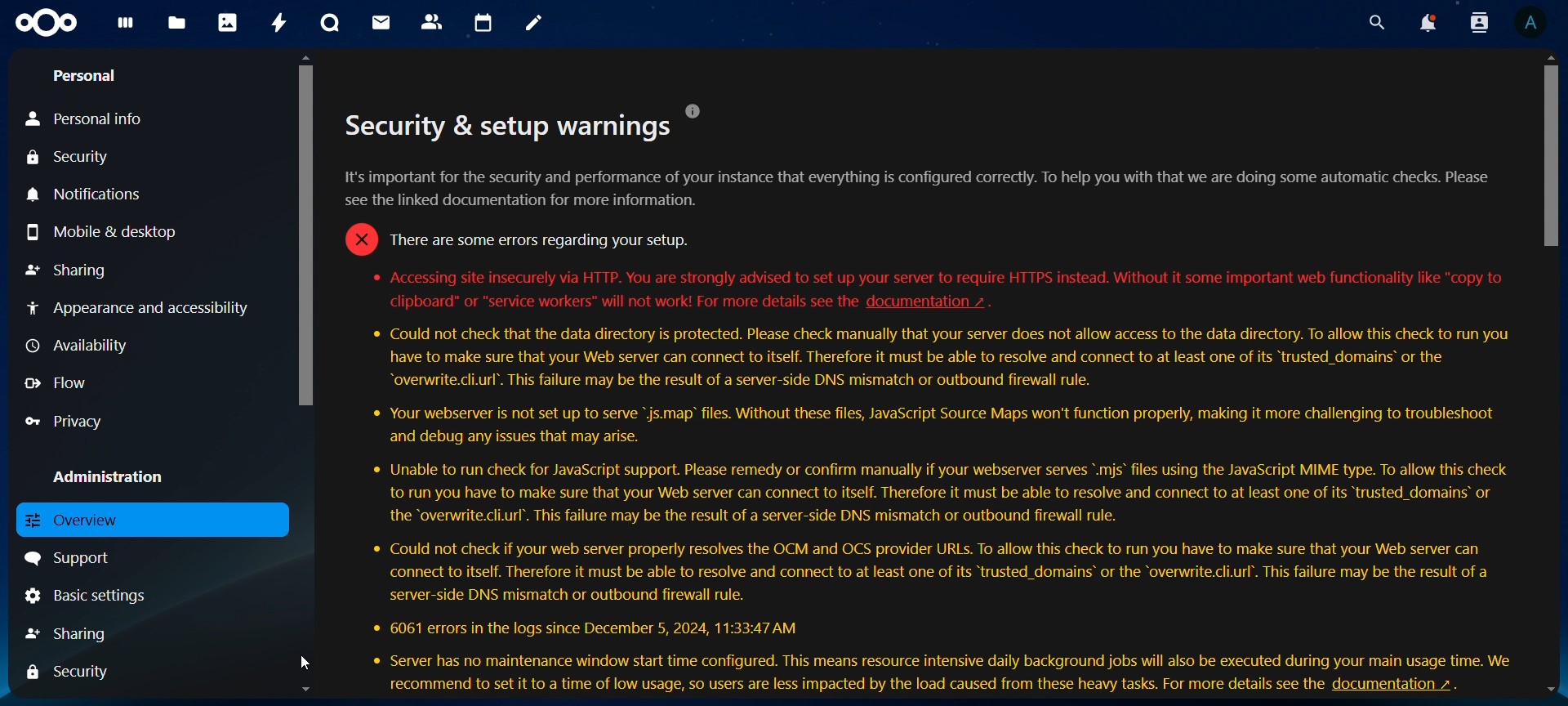  I want to click on privacy, so click(60, 418).